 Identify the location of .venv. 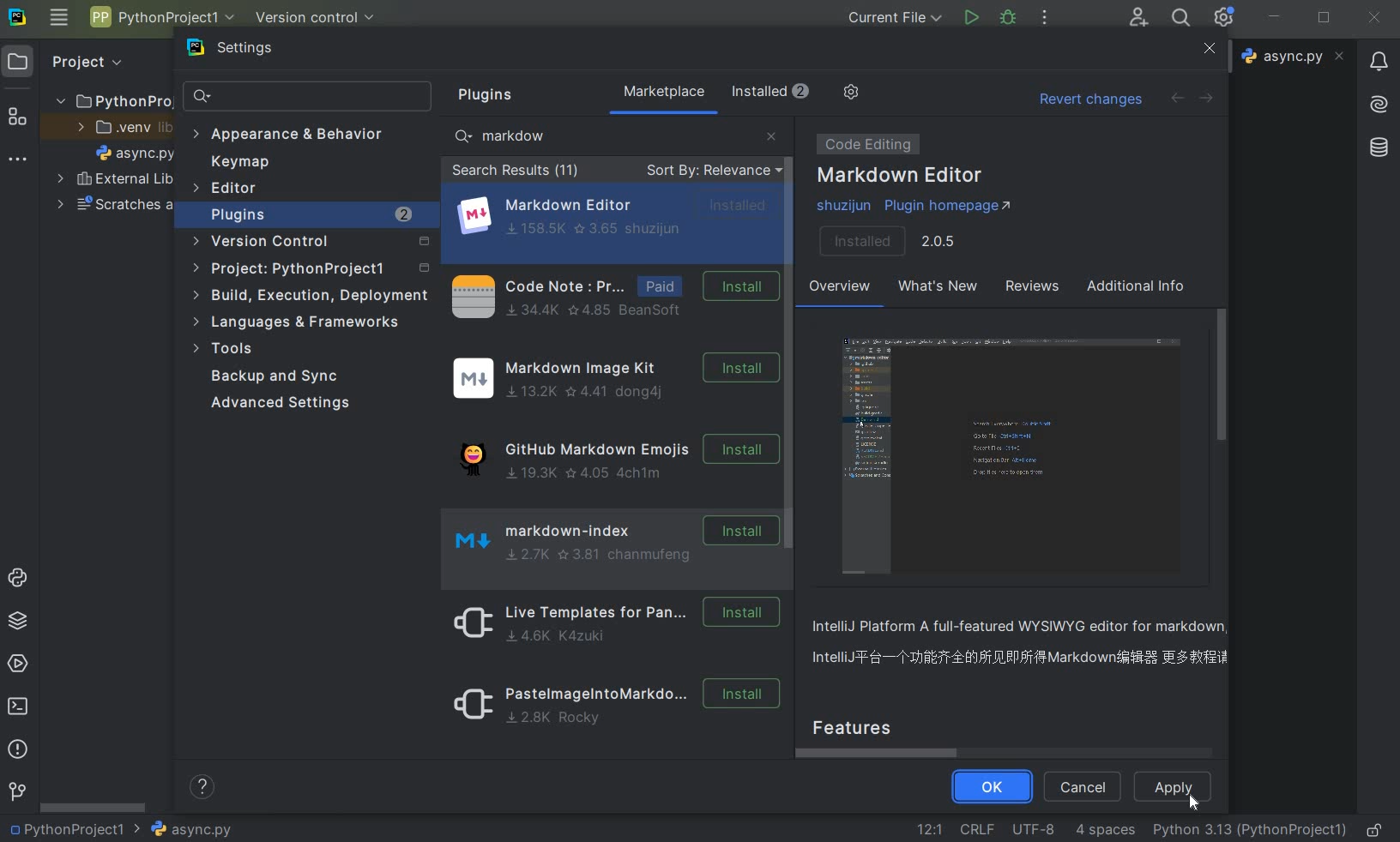
(118, 127).